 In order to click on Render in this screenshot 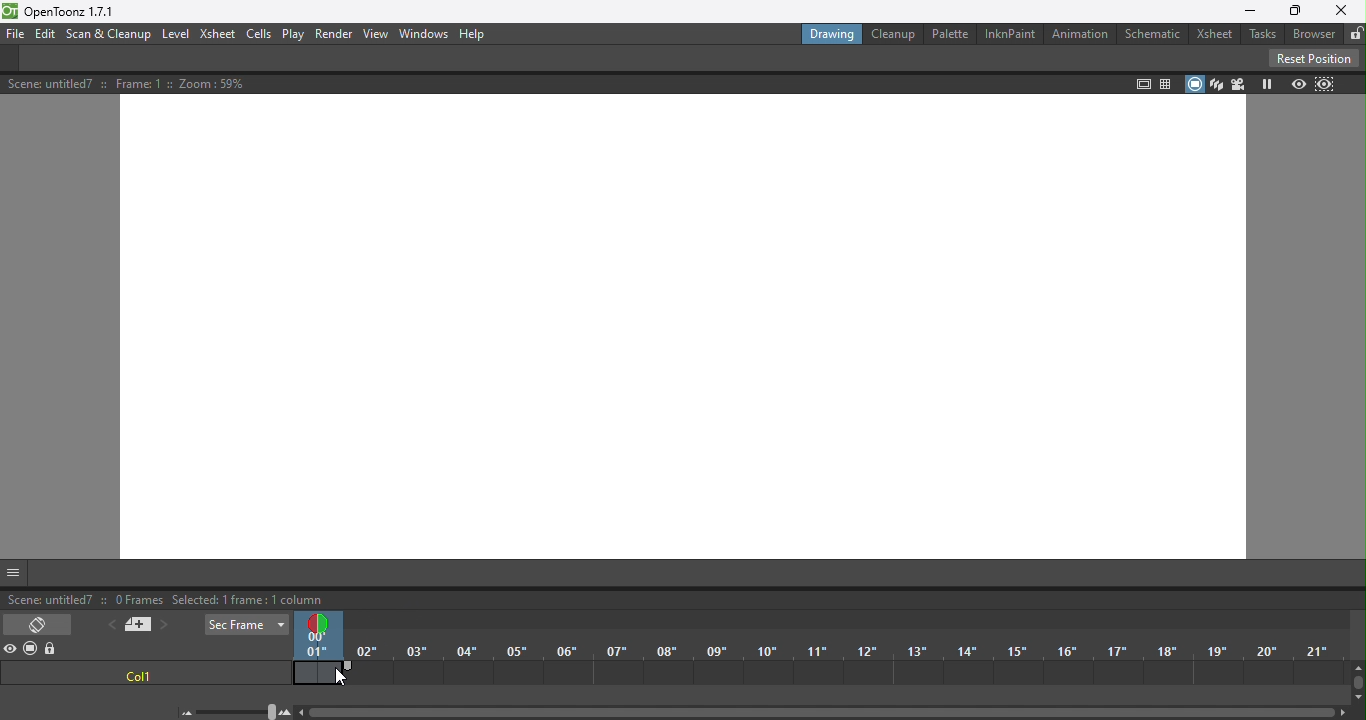, I will do `click(333, 34)`.